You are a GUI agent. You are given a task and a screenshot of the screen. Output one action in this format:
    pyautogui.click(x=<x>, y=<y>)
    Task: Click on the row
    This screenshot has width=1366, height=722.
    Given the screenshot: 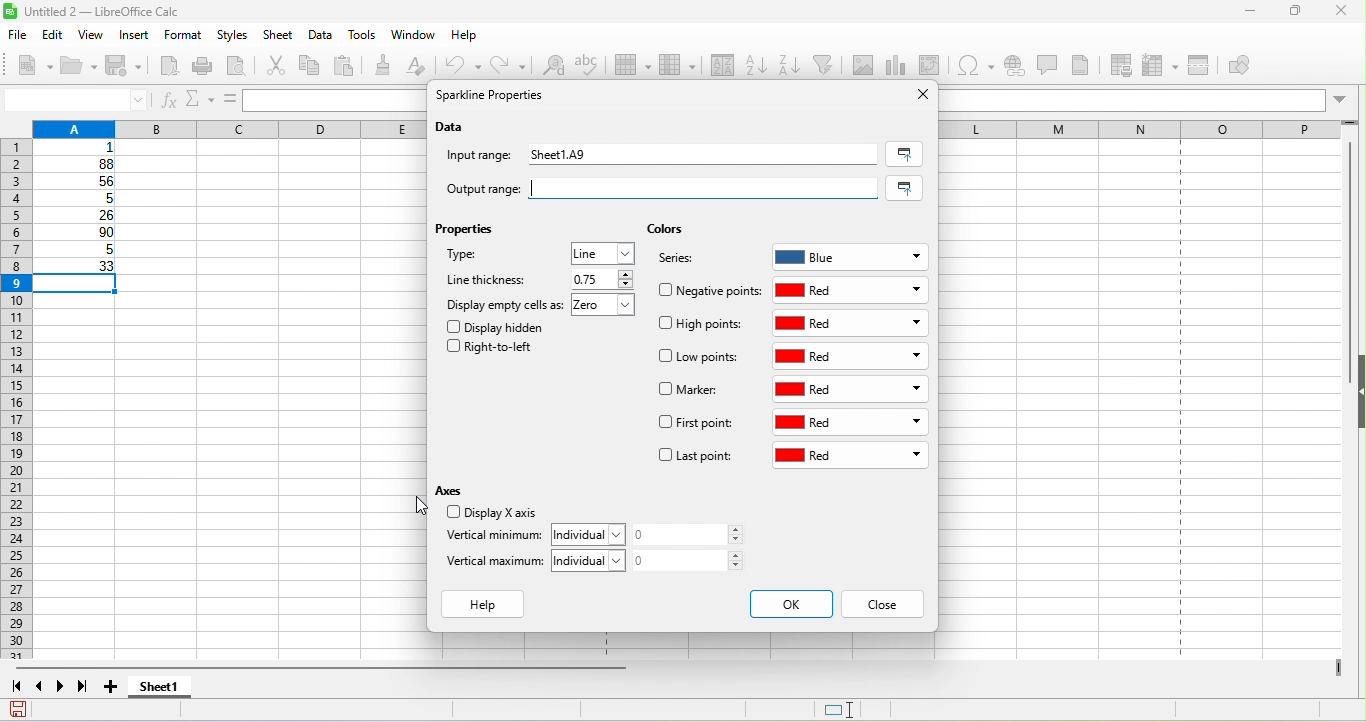 What is the action you would take?
    pyautogui.click(x=635, y=67)
    